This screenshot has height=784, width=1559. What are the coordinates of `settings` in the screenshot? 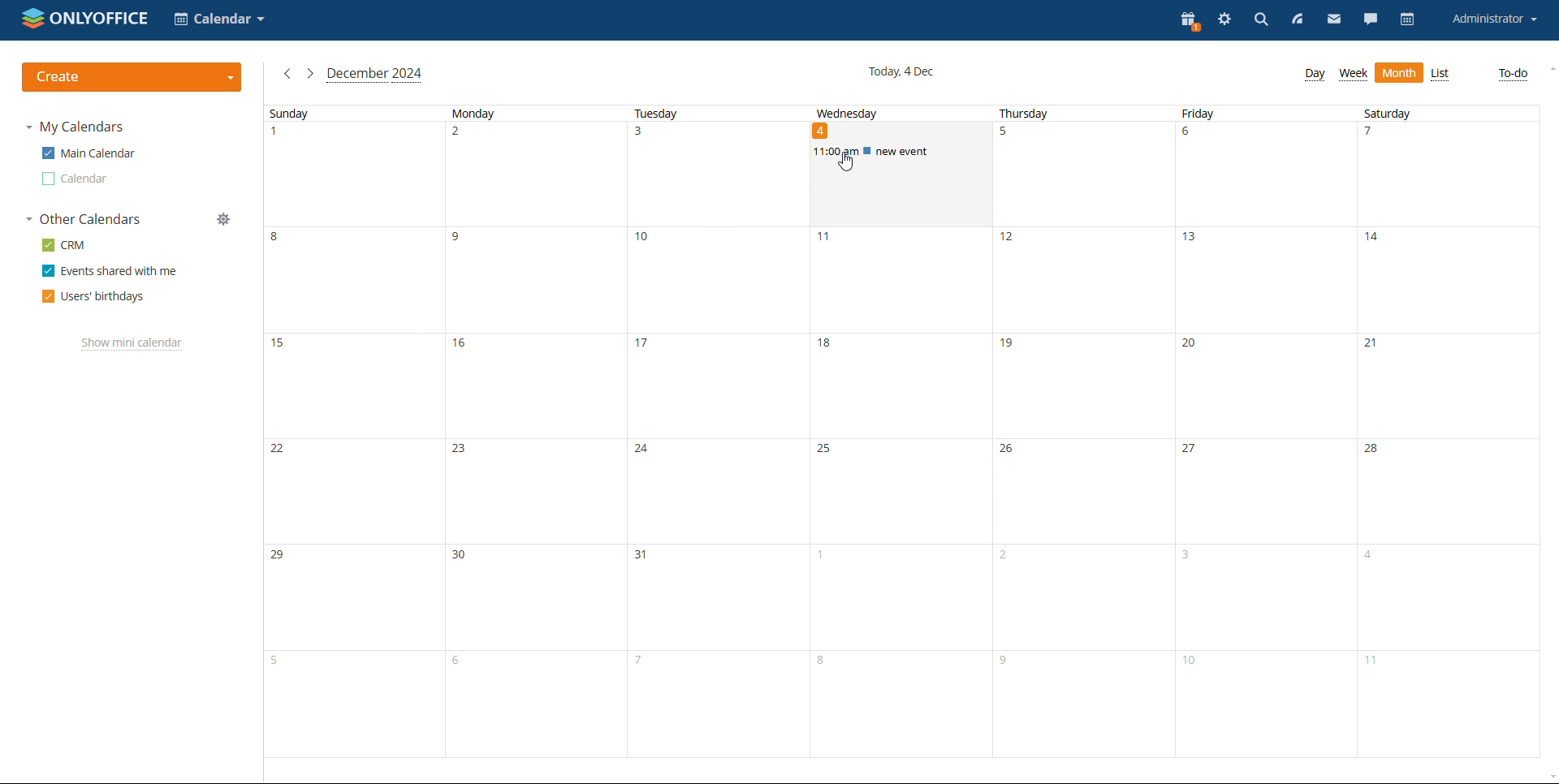 It's located at (1223, 21).